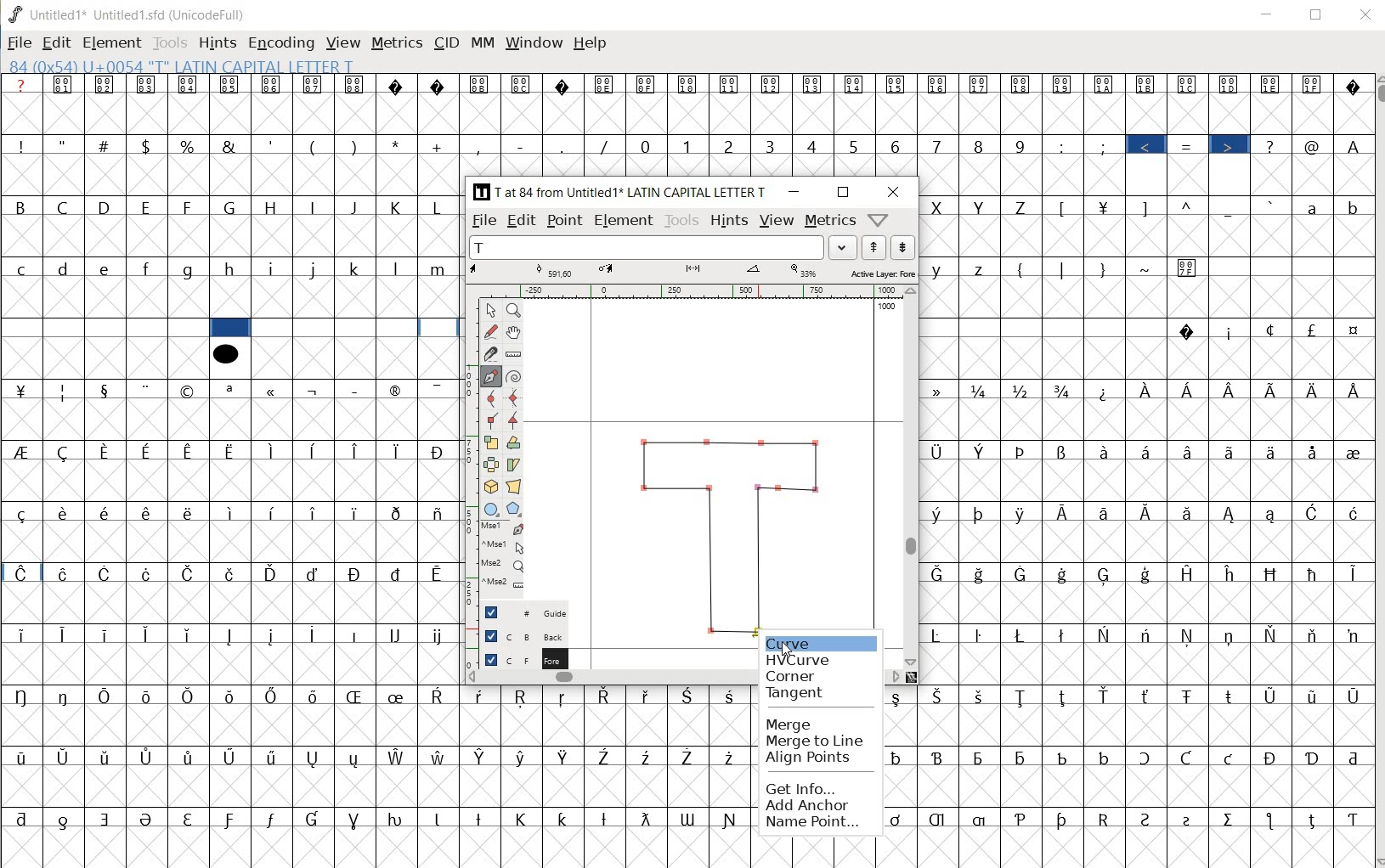  What do you see at coordinates (1313, 757) in the screenshot?
I see `Symbol` at bounding box center [1313, 757].